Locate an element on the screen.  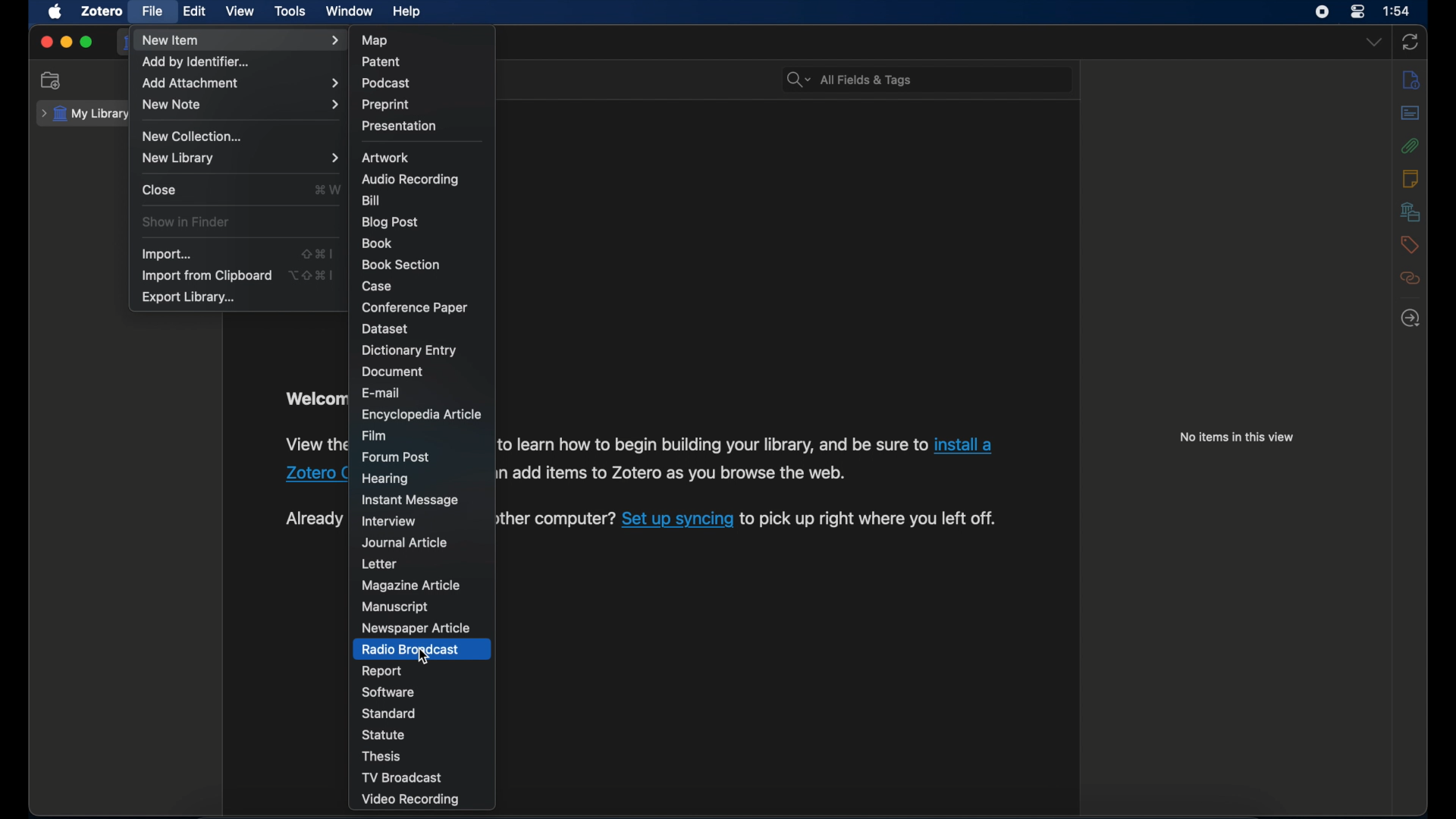
no items in this view is located at coordinates (1238, 437).